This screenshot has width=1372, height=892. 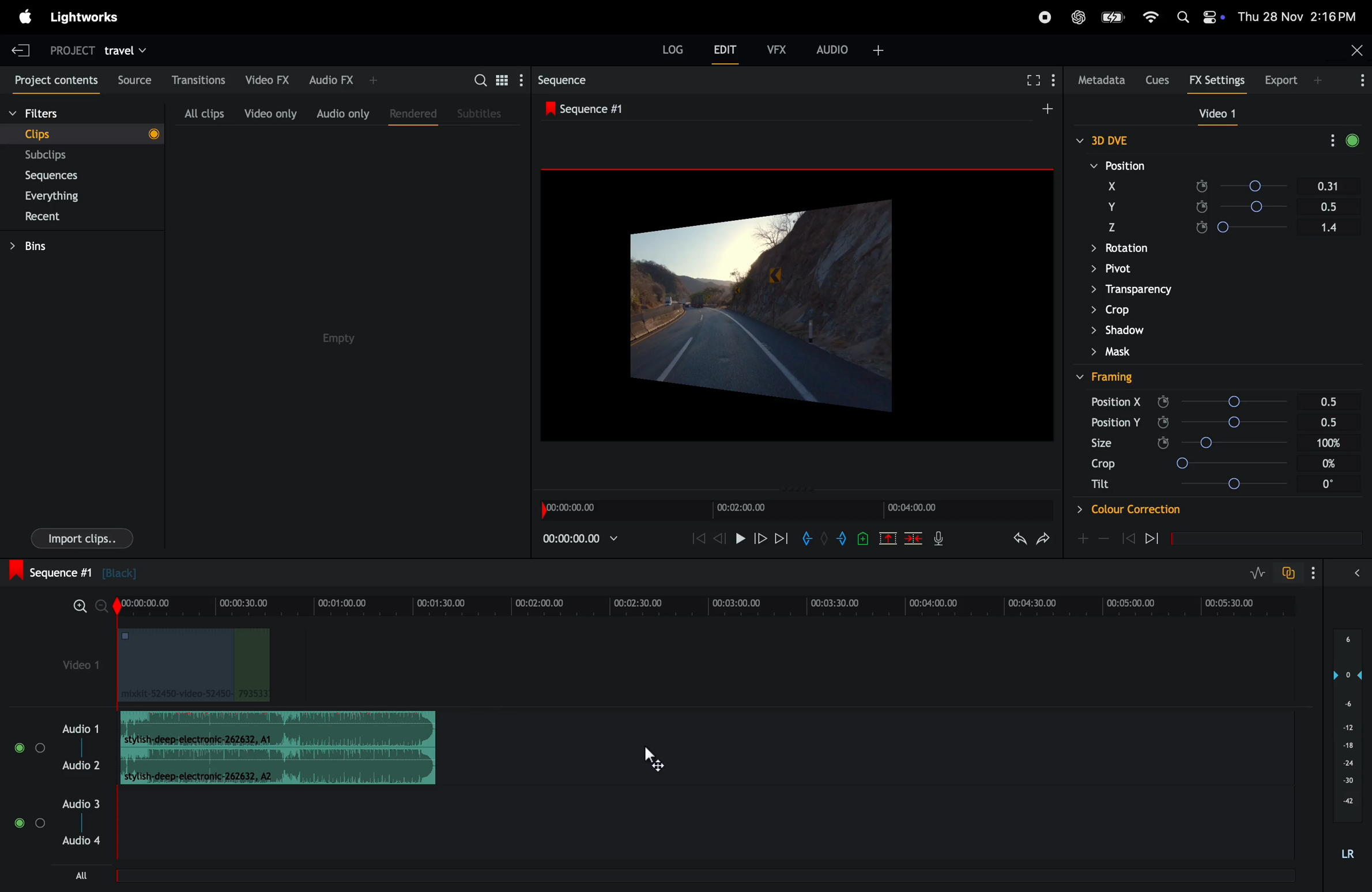 I want to click on fx settings, so click(x=1220, y=80).